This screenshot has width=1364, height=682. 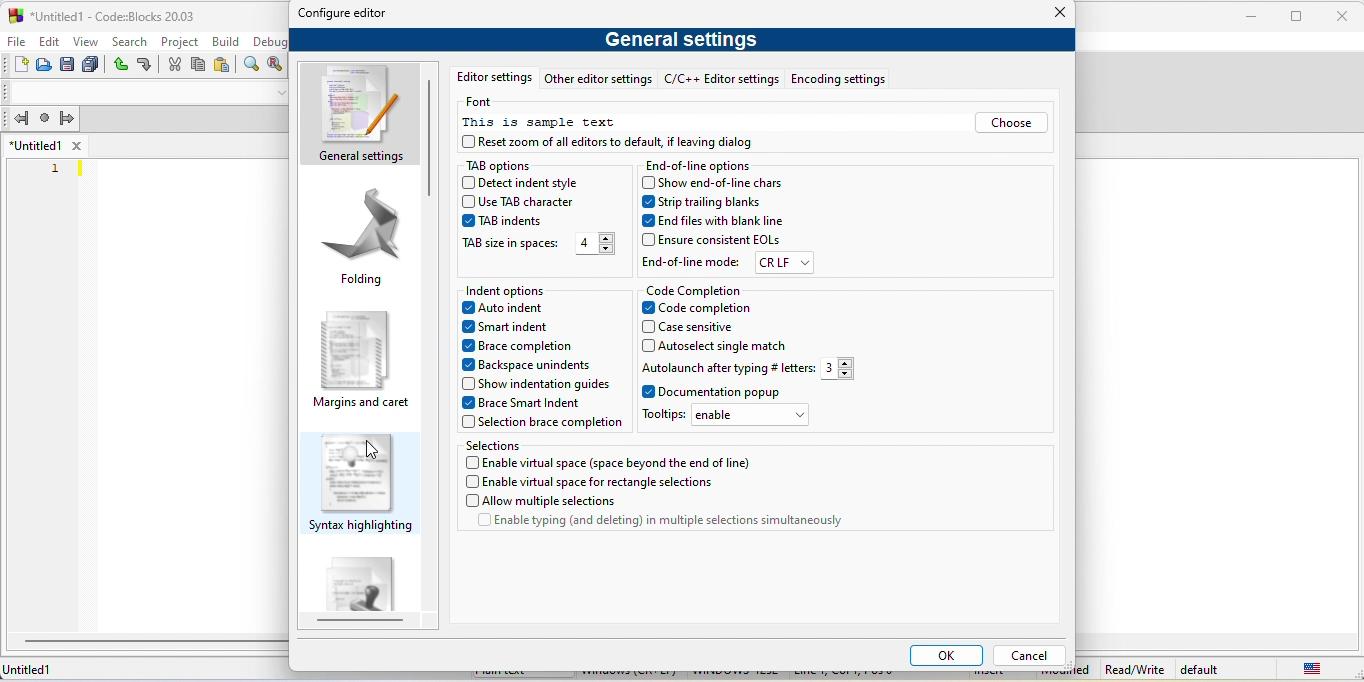 I want to click on jump back, so click(x=20, y=118).